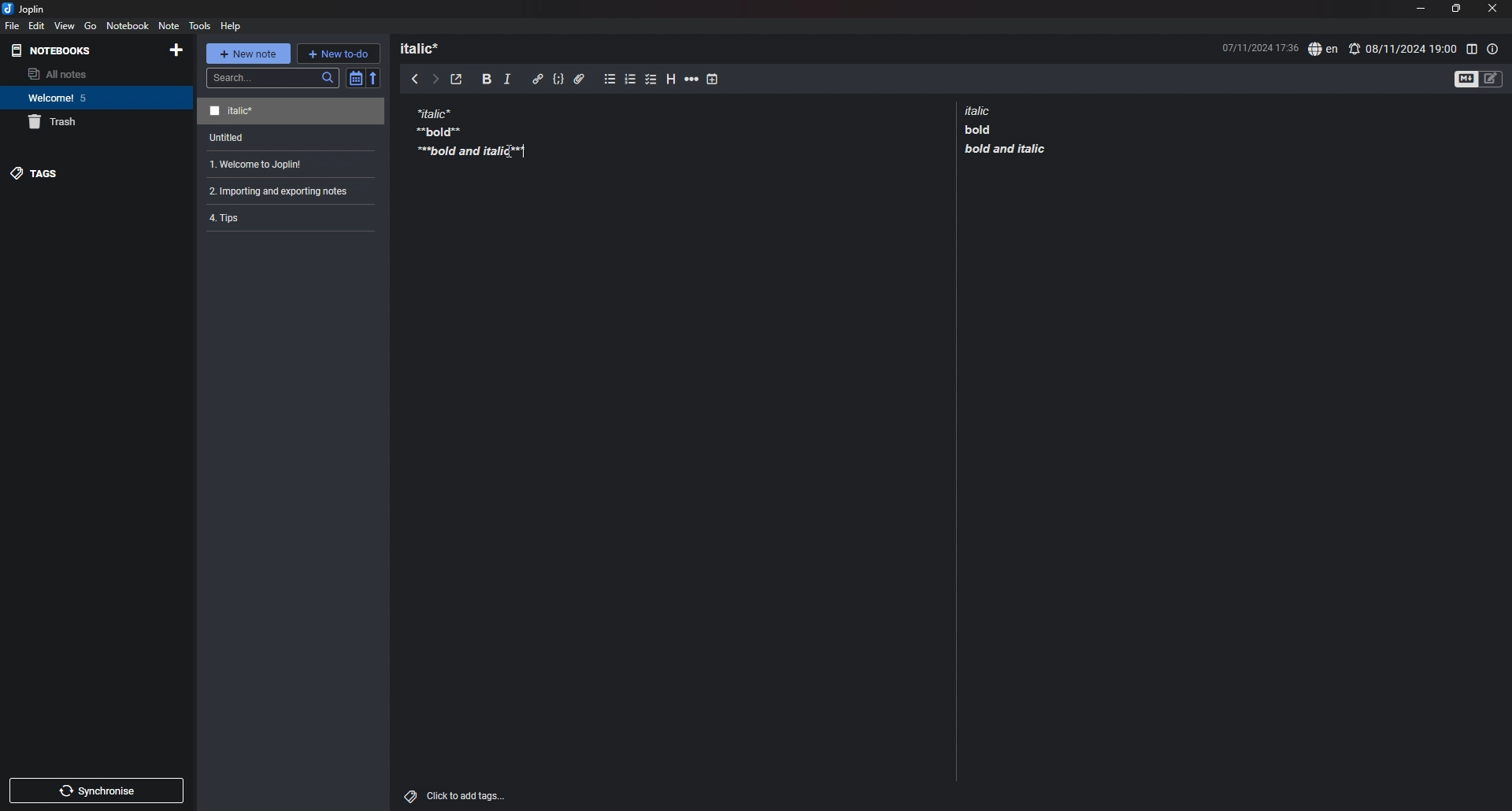  Describe the element at coordinates (168, 25) in the screenshot. I see `note` at that location.